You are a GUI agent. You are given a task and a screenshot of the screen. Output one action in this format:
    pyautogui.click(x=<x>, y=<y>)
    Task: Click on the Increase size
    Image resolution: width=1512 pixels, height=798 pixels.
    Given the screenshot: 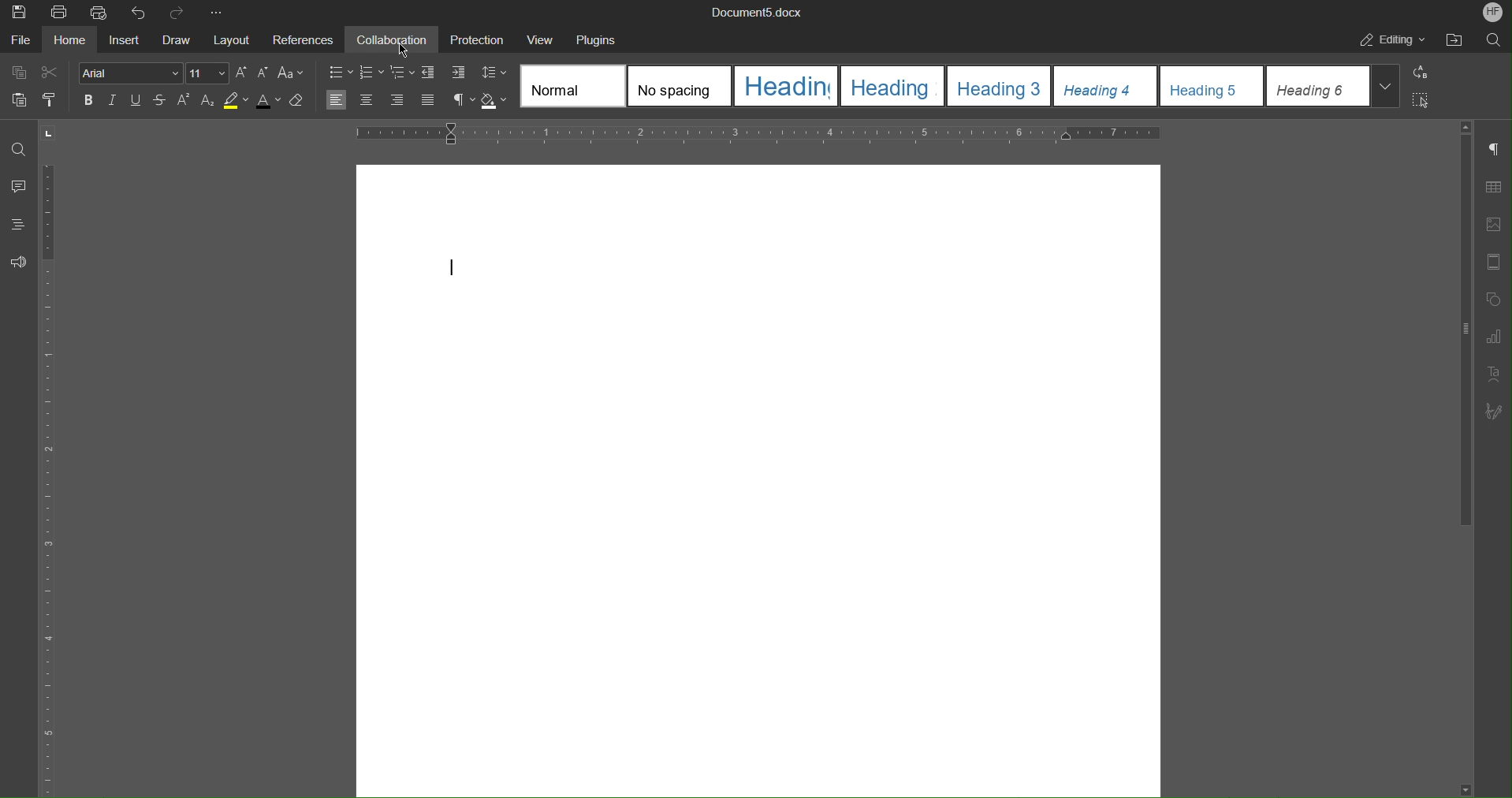 What is the action you would take?
    pyautogui.click(x=239, y=73)
    